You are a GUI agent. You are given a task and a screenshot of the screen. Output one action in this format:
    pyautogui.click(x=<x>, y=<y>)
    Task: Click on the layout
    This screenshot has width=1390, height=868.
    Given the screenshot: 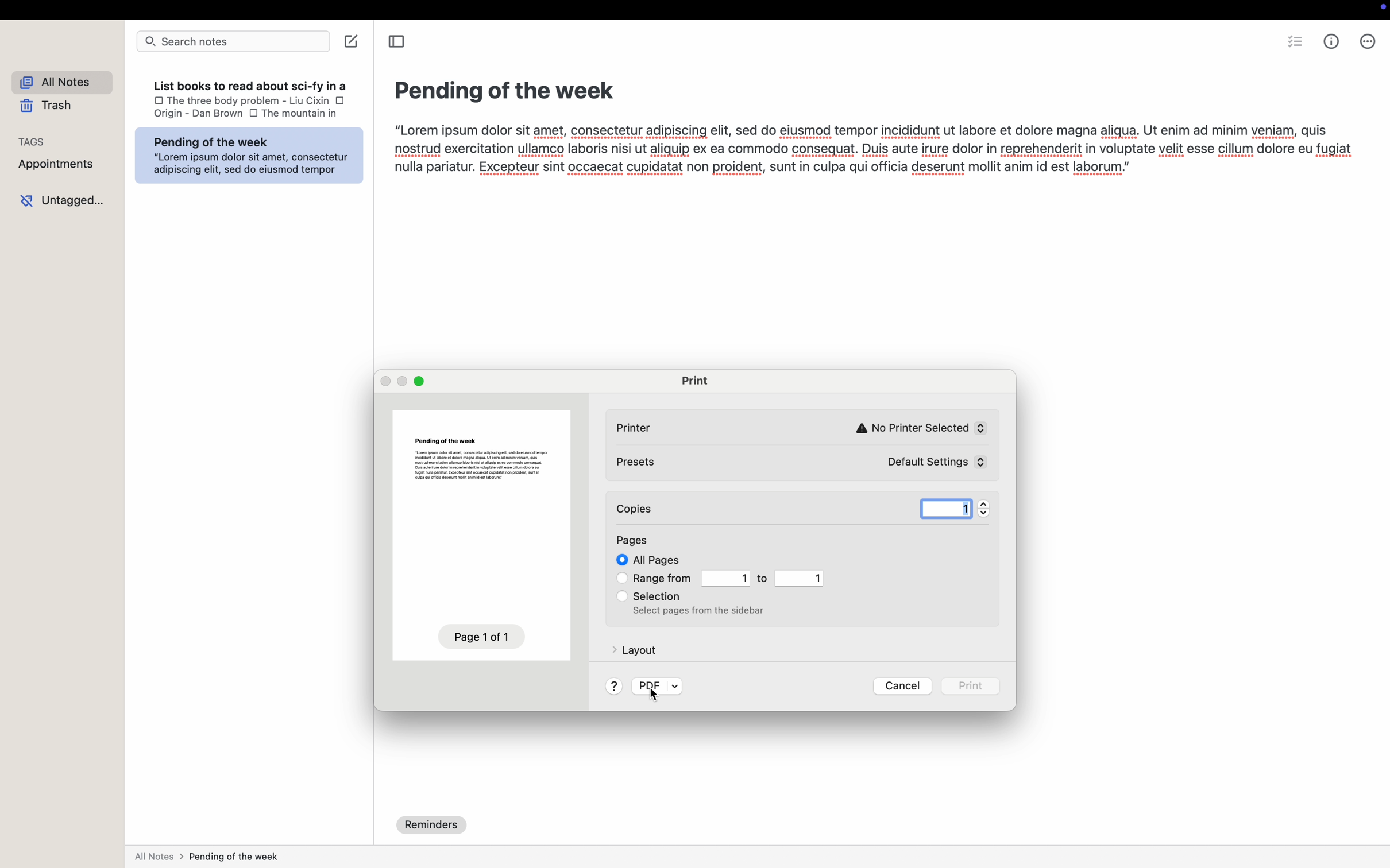 What is the action you would take?
    pyautogui.click(x=634, y=649)
    